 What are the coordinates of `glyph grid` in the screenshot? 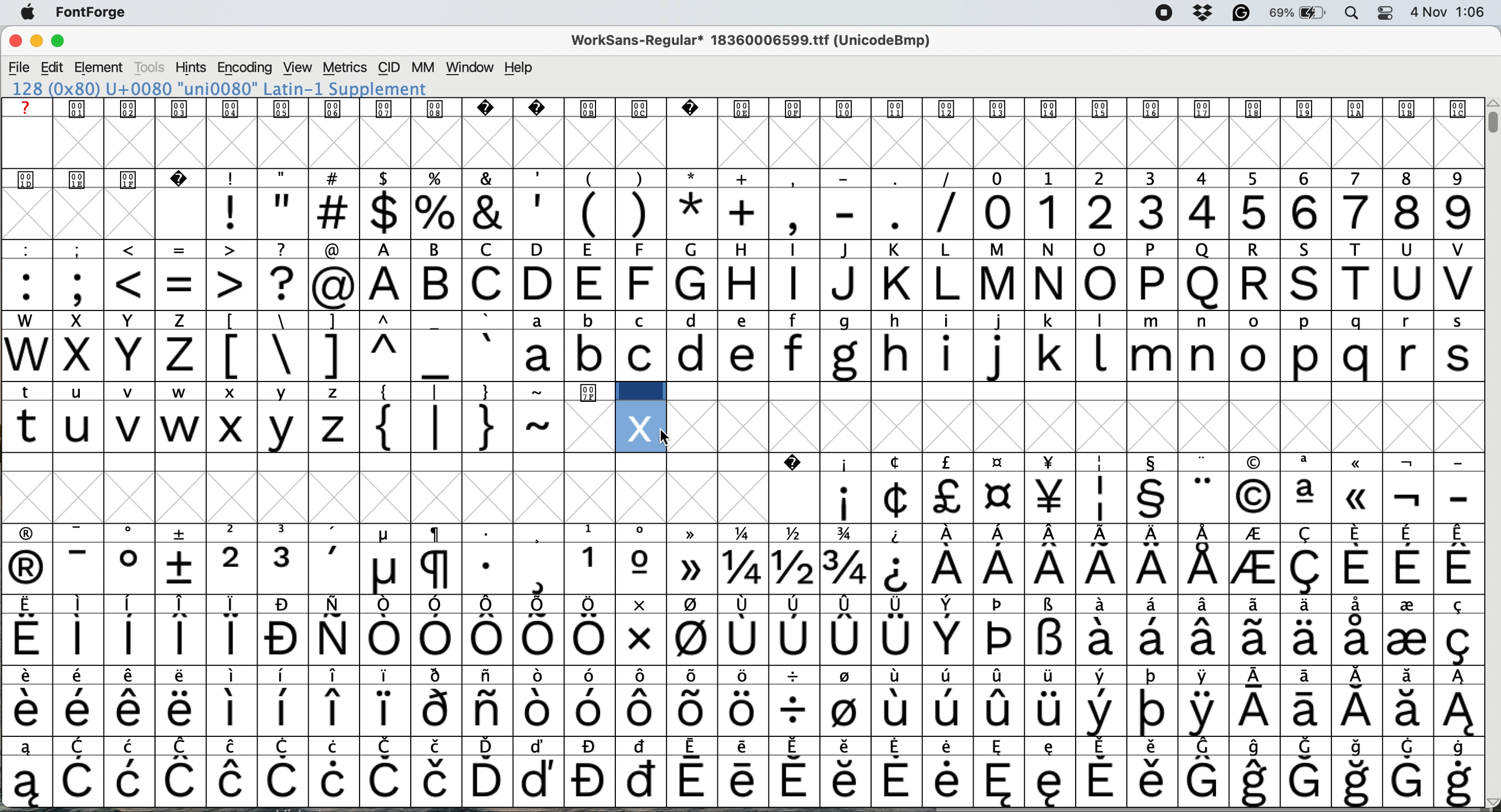 It's located at (108, 217).